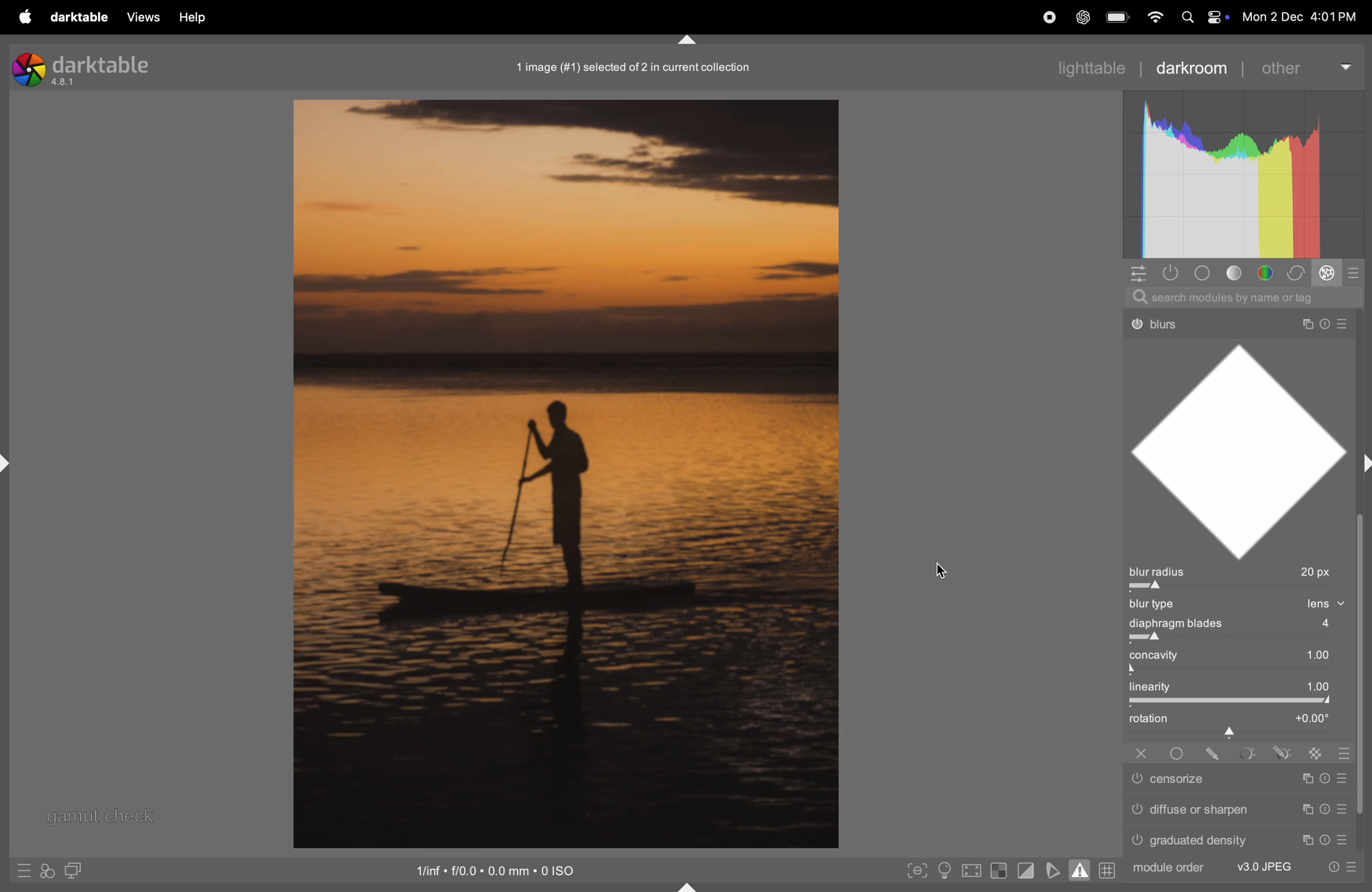 The image size is (1372, 892). Describe the element at coordinates (1238, 572) in the screenshot. I see `blur radius` at that location.